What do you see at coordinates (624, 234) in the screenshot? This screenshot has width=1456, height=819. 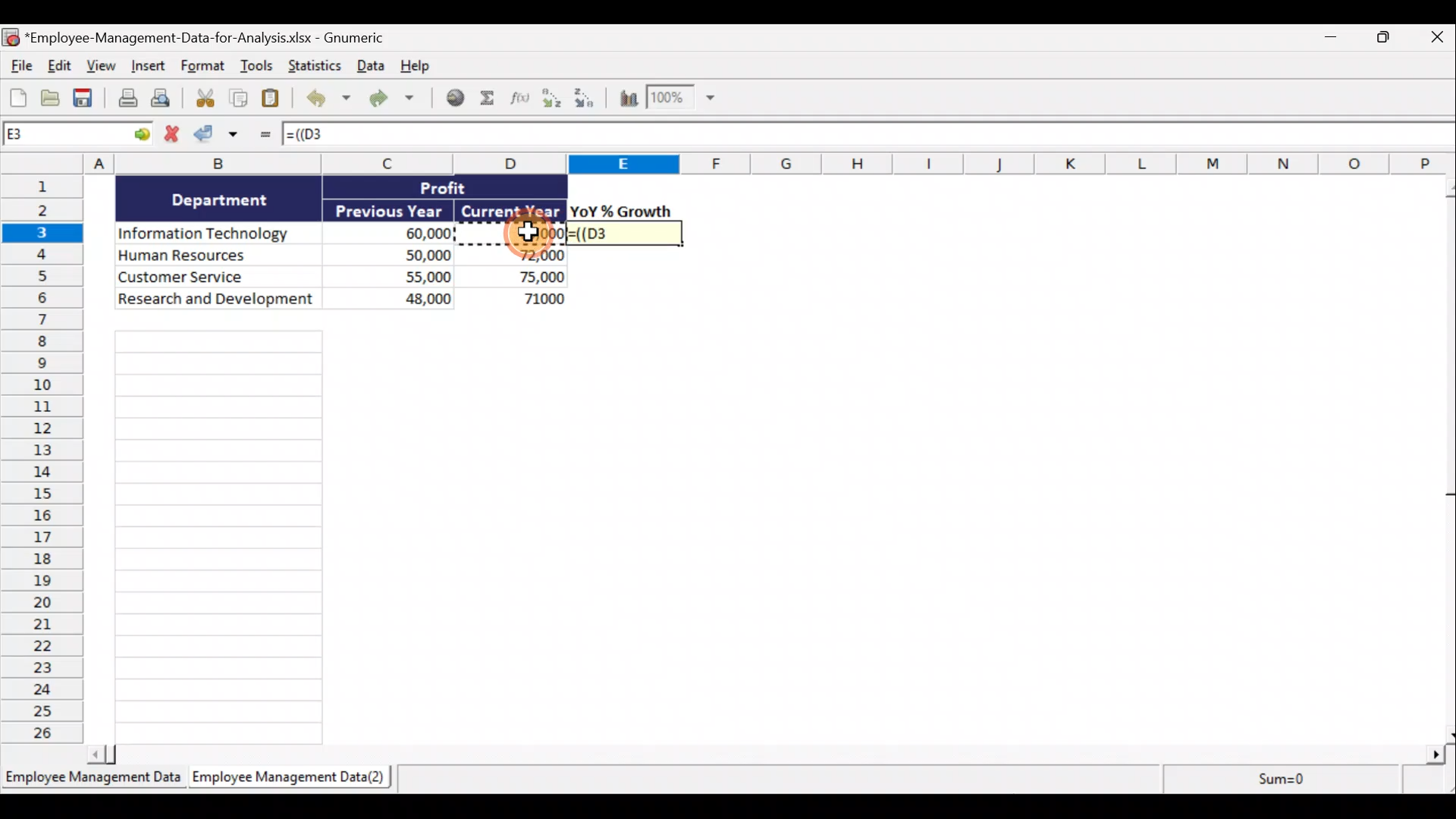 I see `=((D3` at bounding box center [624, 234].